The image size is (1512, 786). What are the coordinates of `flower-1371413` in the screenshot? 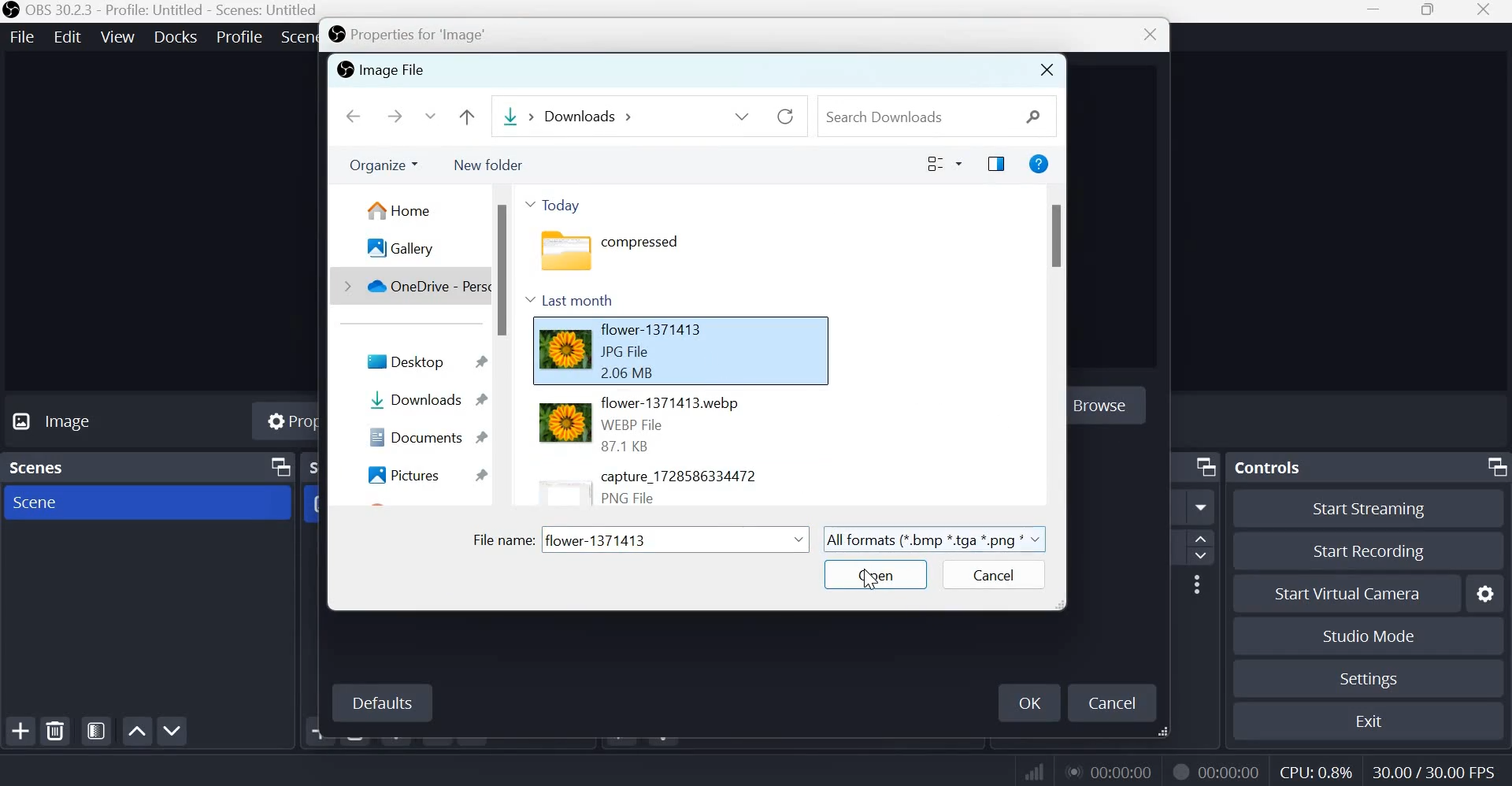 It's located at (603, 540).